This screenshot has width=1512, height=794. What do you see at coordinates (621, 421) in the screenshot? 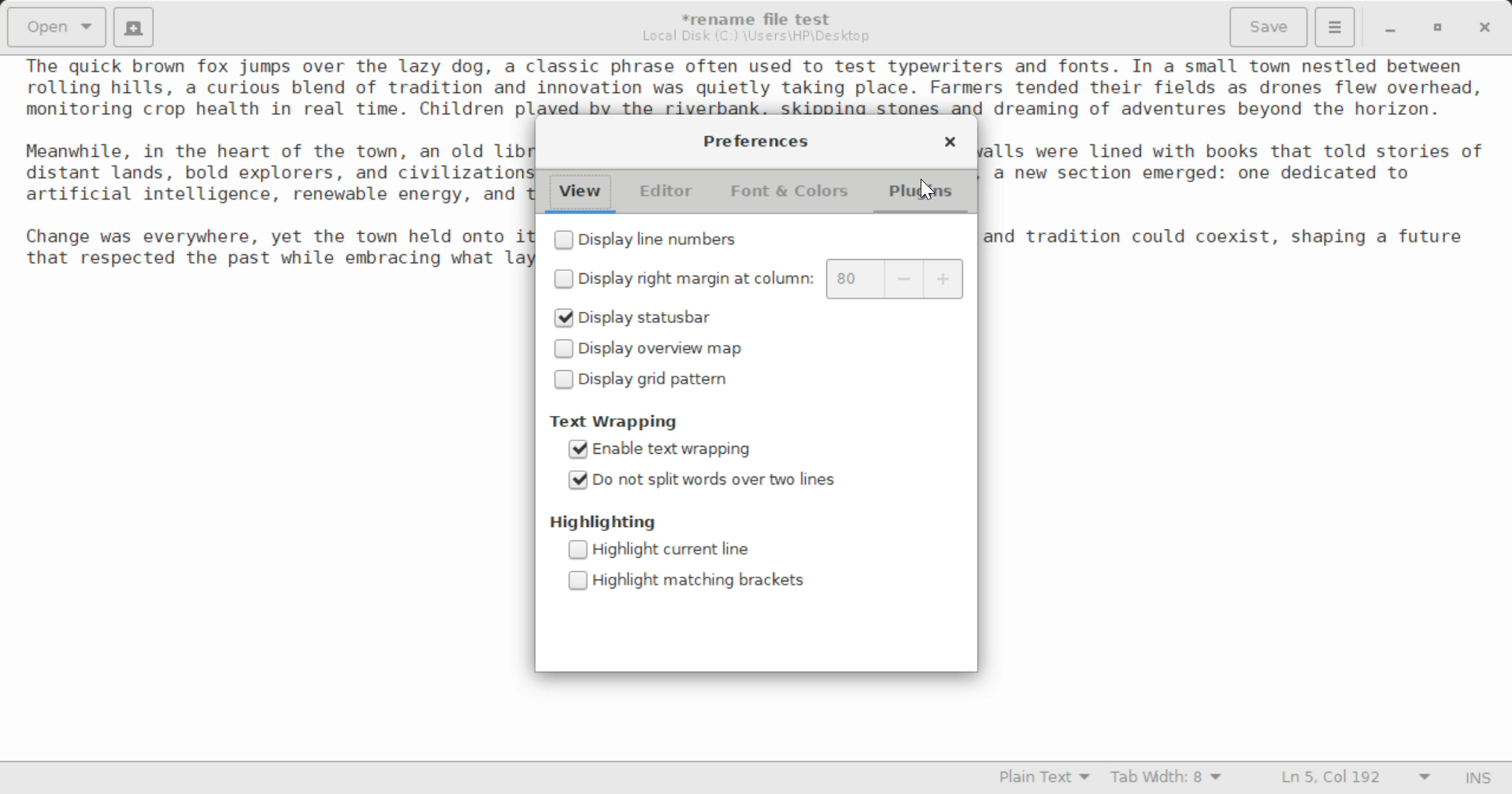
I see `Text Wrapping Heading ` at bounding box center [621, 421].